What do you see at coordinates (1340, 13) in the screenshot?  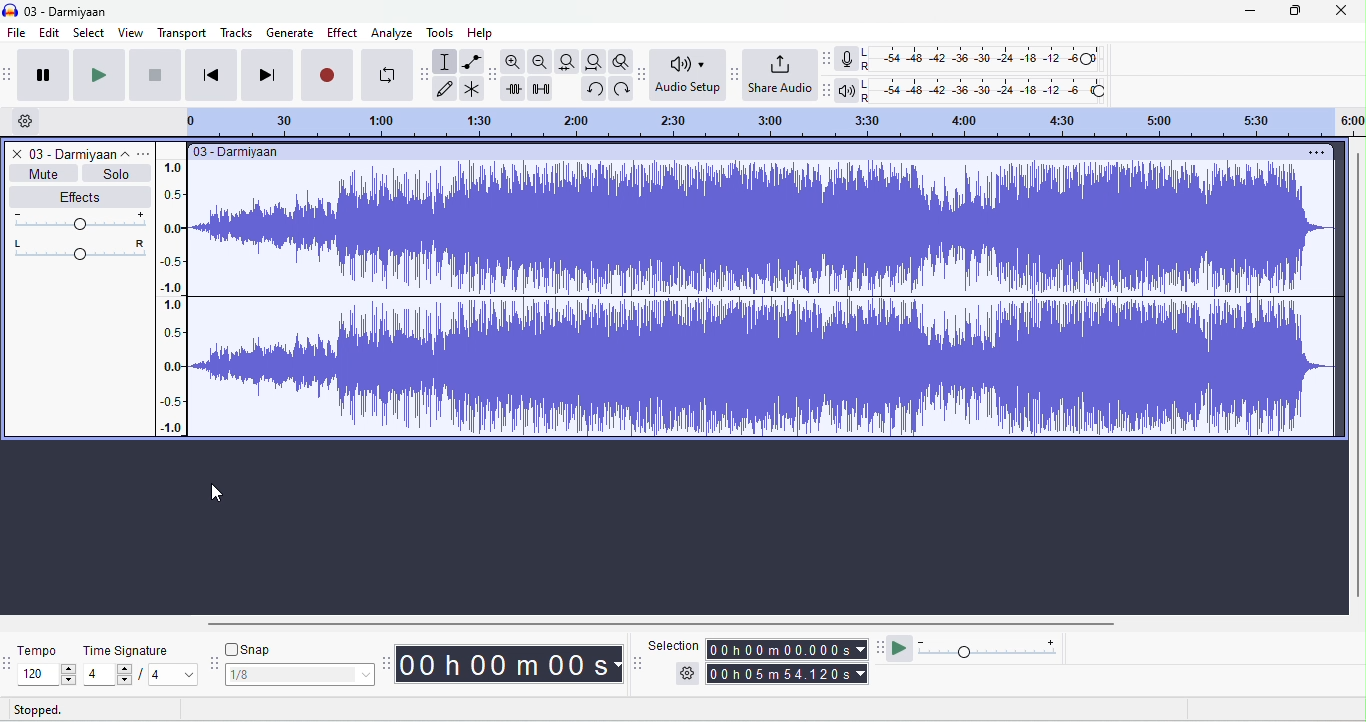 I see `close` at bounding box center [1340, 13].